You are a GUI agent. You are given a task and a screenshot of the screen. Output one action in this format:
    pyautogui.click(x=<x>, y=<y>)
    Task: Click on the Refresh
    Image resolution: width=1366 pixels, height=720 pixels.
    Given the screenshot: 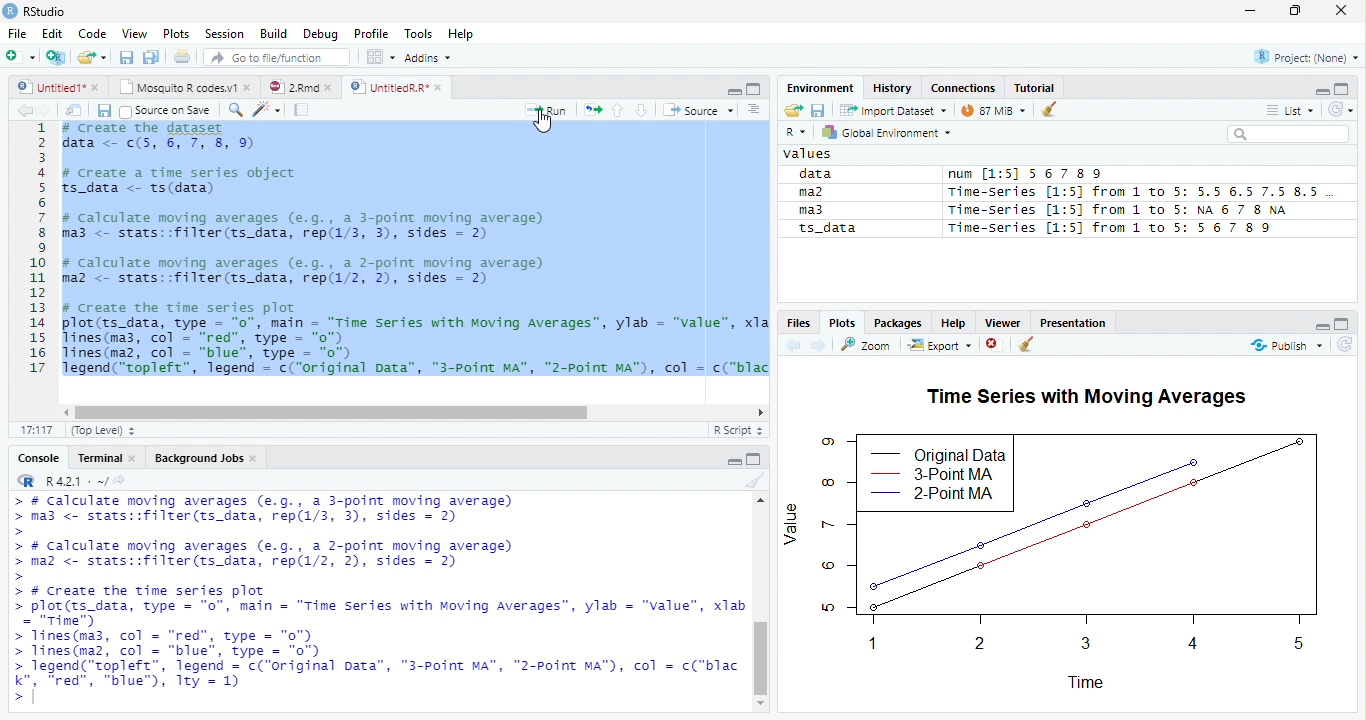 What is the action you would take?
    pyautogui.click(x=1345, y=345)
    